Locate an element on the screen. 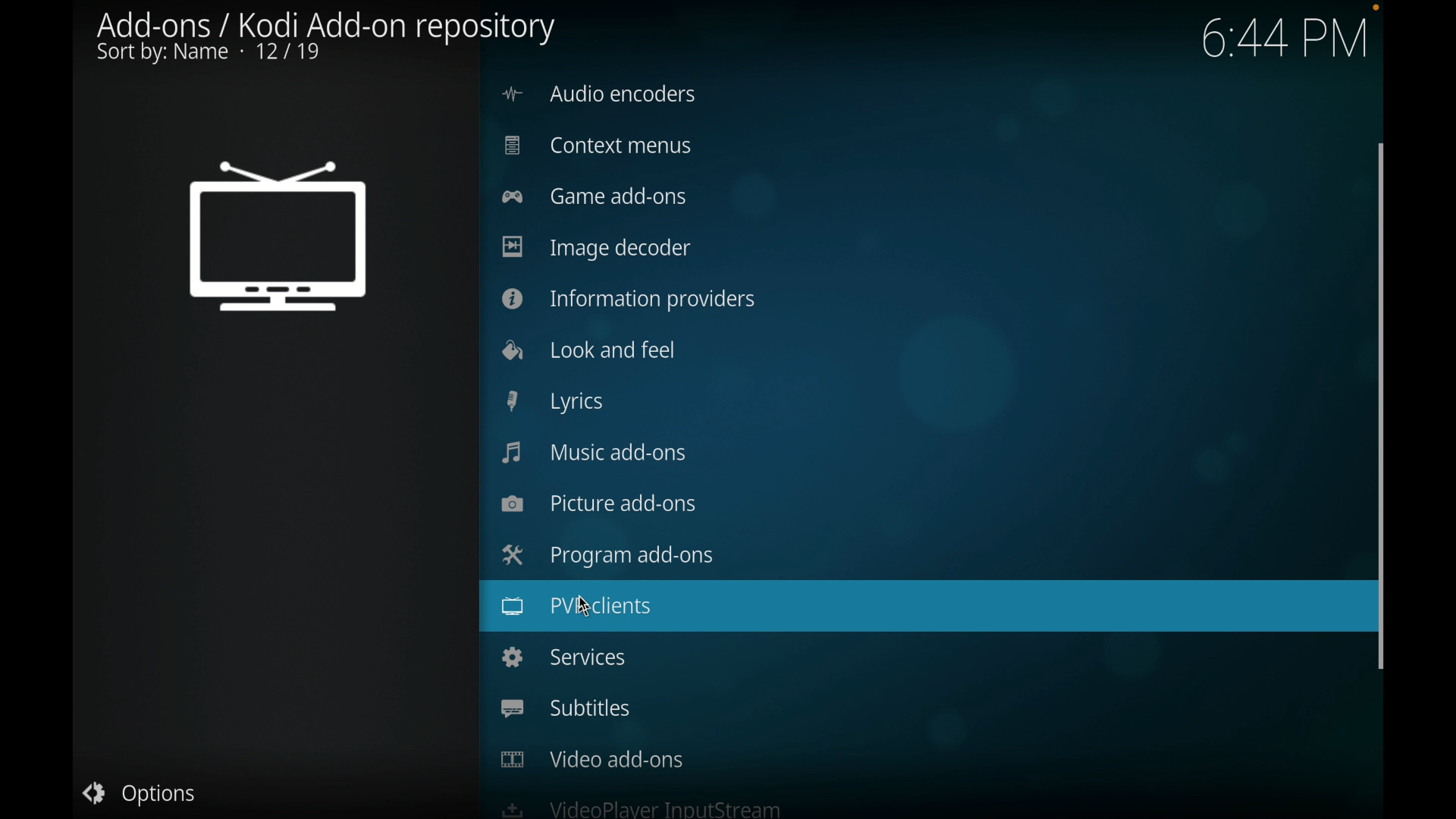  6:44 PM is located at coordinates (1285, 33).